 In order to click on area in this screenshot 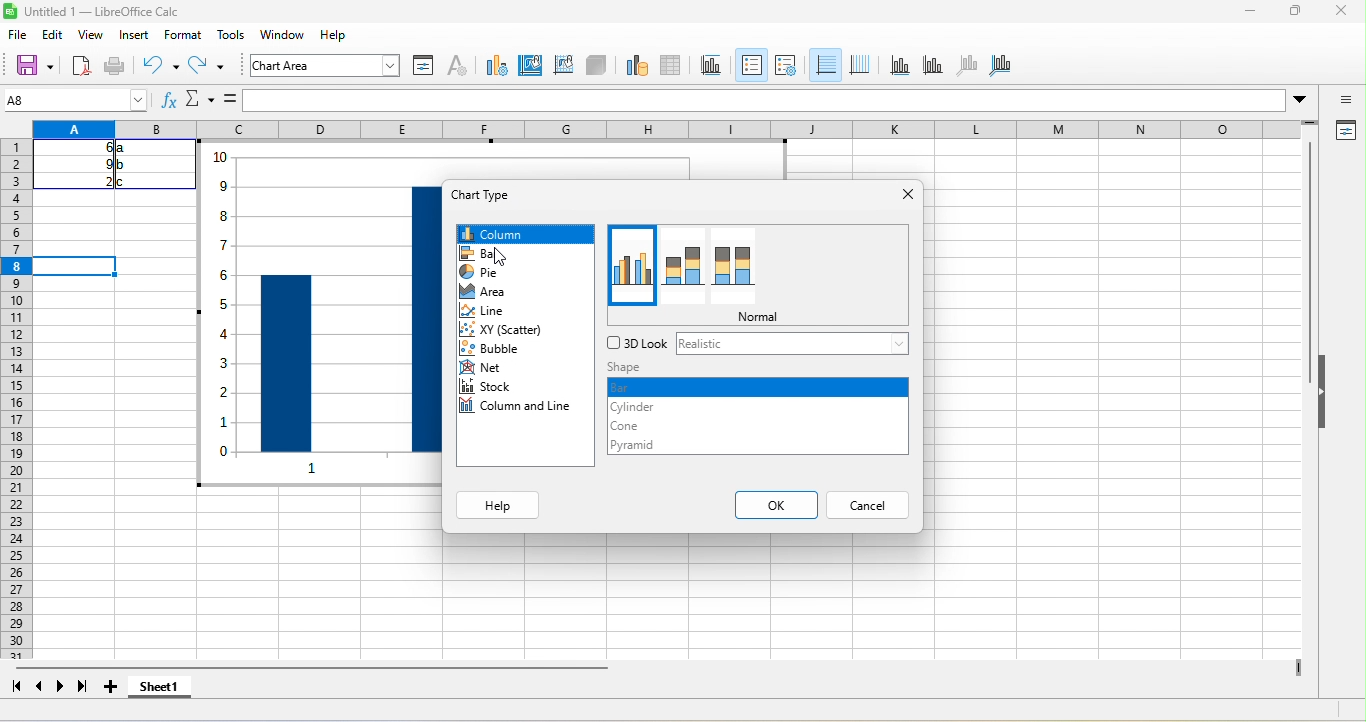, I will do `click(495, 292)`.